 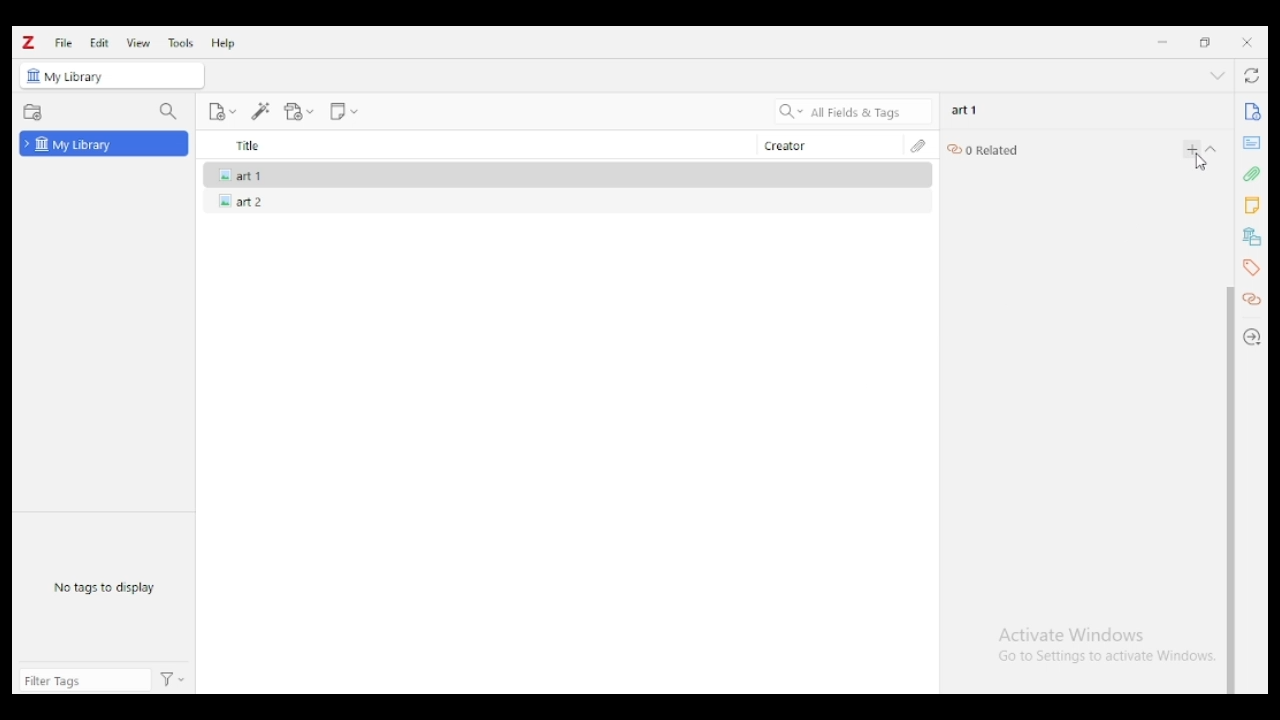 I want to click on attachments, so click(x=1251, y=173).